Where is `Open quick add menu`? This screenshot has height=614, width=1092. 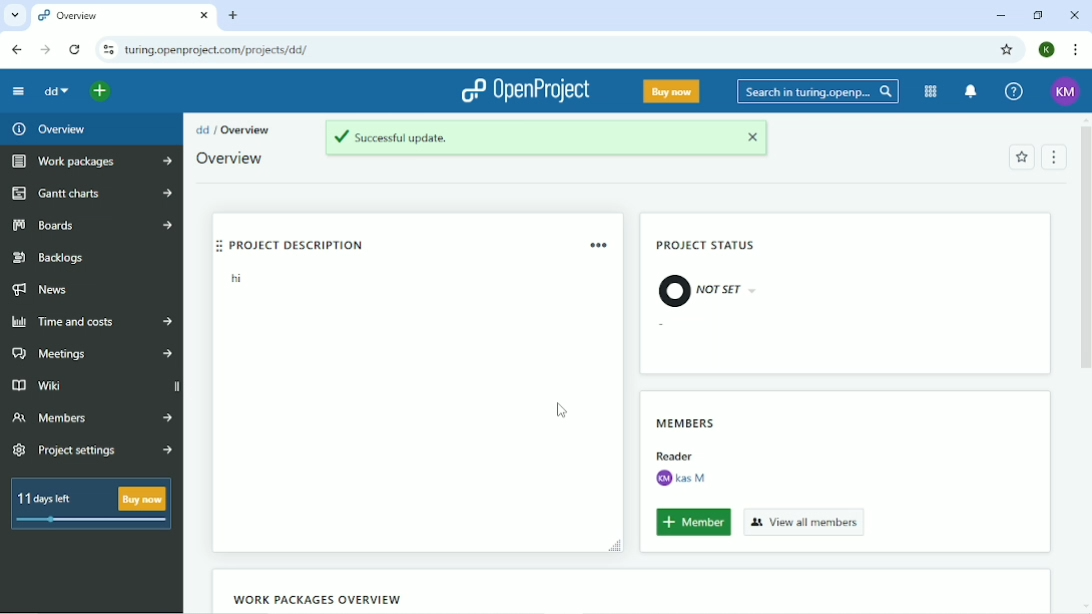
Open quick add menu is located at coordinates (100, 94).